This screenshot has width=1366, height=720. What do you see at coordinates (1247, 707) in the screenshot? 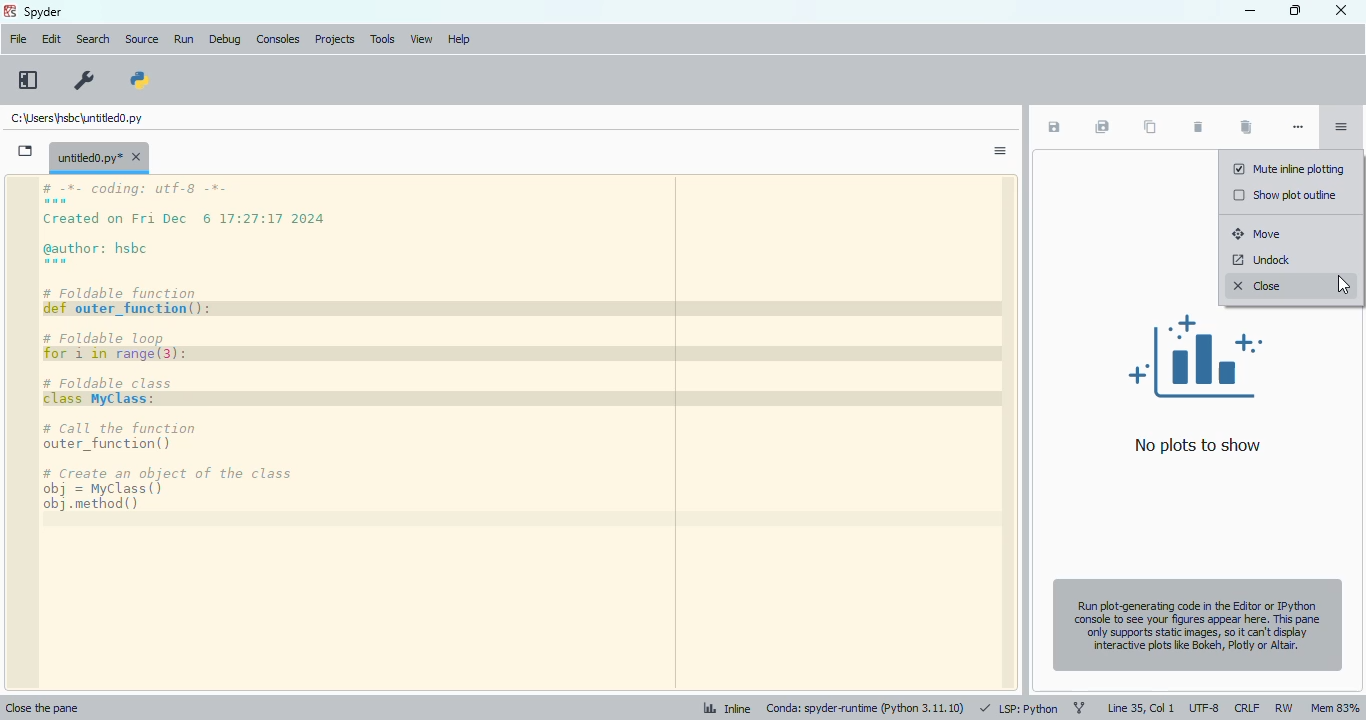
I see `CRLF` at bounding box center [1247, 707].